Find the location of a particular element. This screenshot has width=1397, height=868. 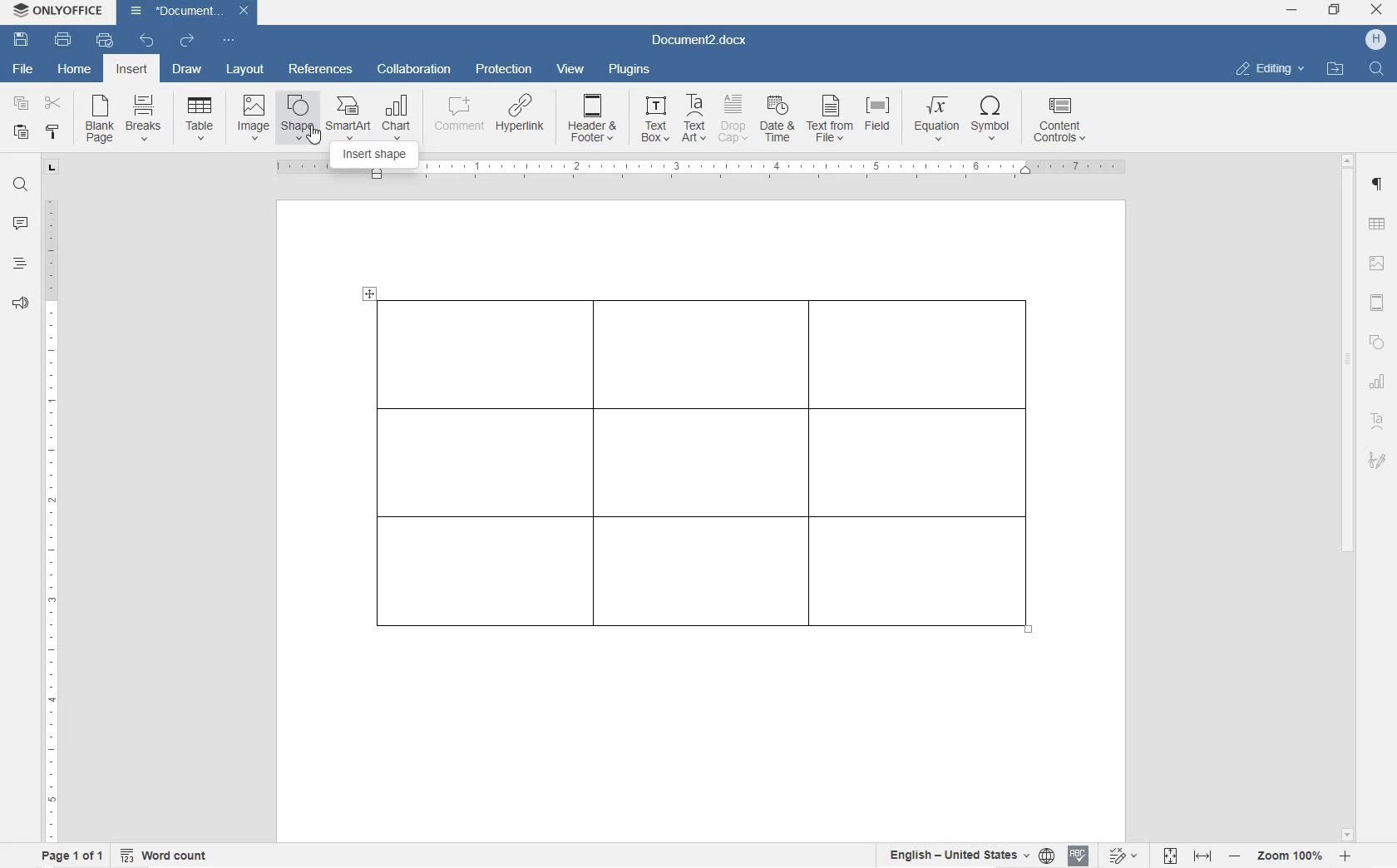

headings is located at coordinates (20, 264).